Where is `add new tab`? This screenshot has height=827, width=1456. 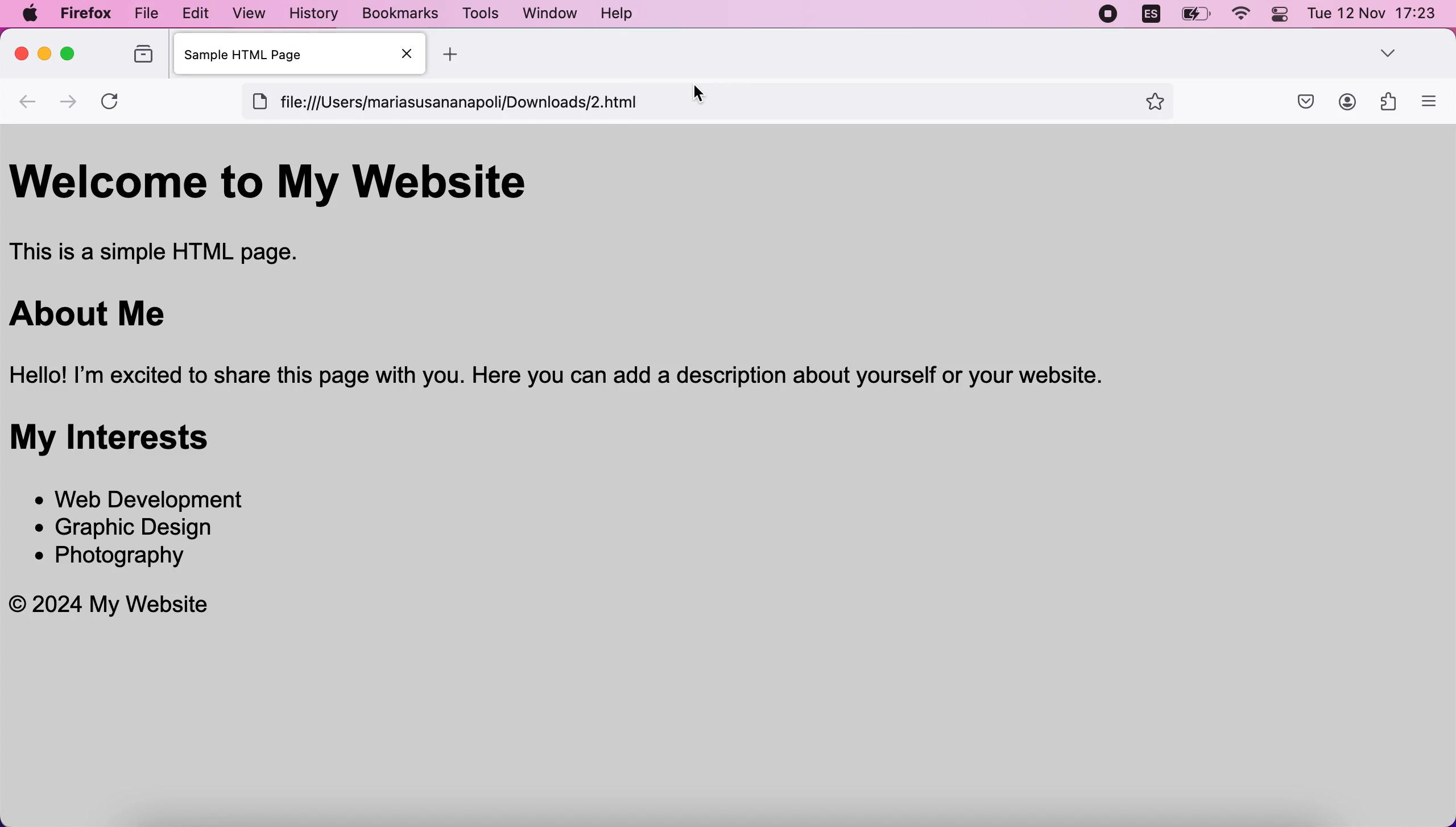
add new tab is located at coordinates (462, 55).